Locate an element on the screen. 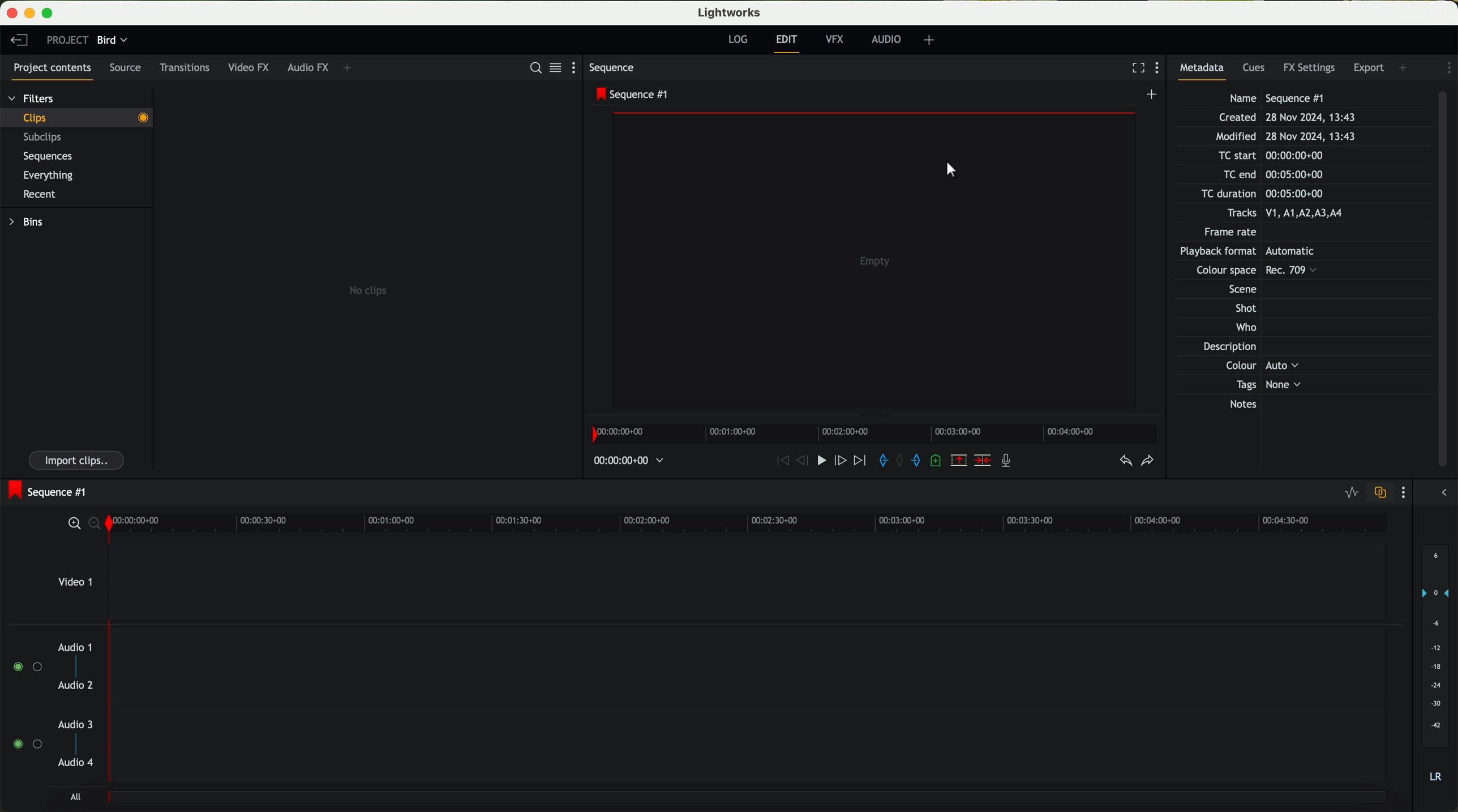 The width and height of the screenshot is (1458, 812). export is located at coordinates (1369, 66).